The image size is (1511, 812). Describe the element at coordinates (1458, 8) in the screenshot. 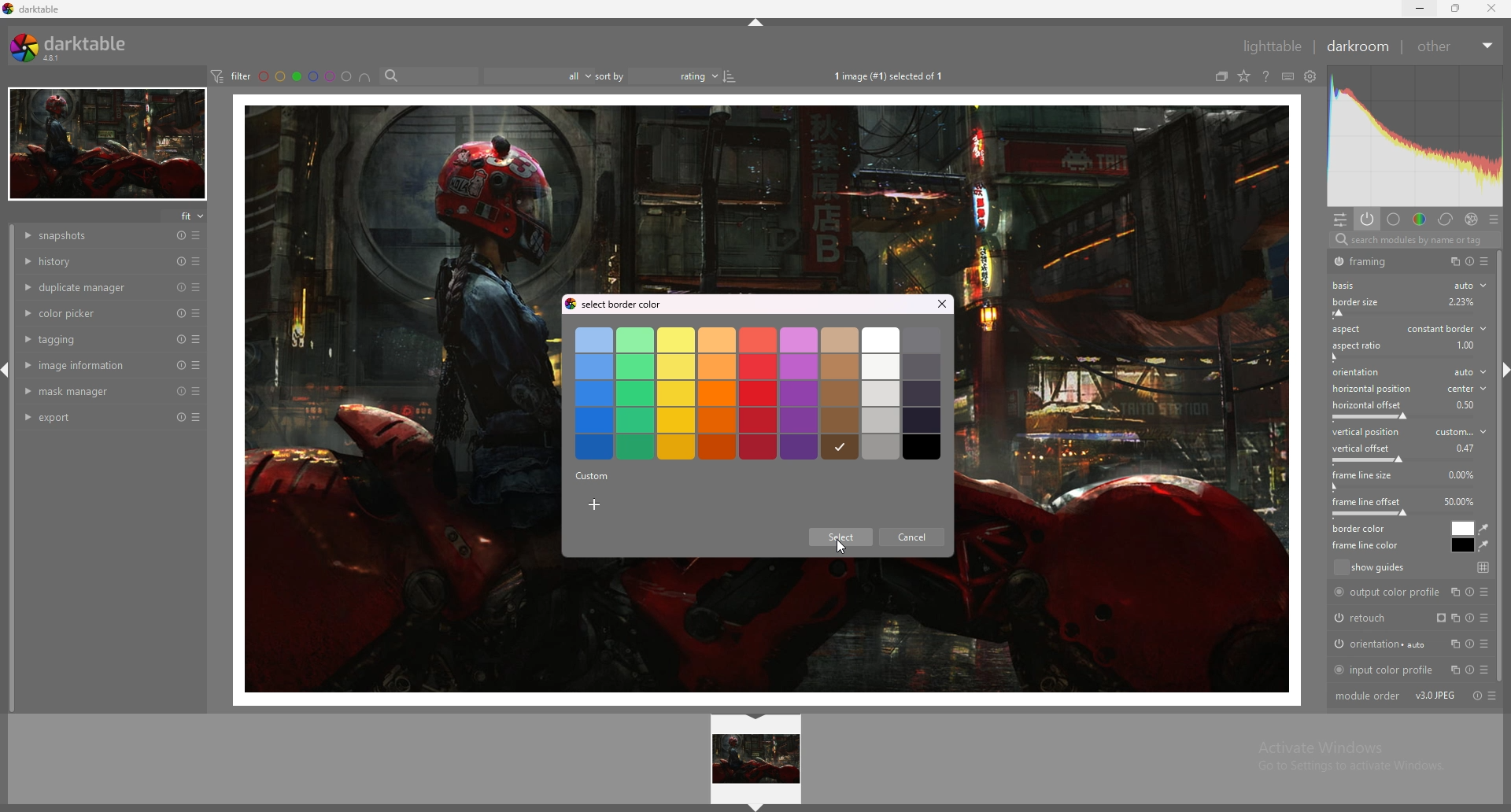

I see `resize` at that location.